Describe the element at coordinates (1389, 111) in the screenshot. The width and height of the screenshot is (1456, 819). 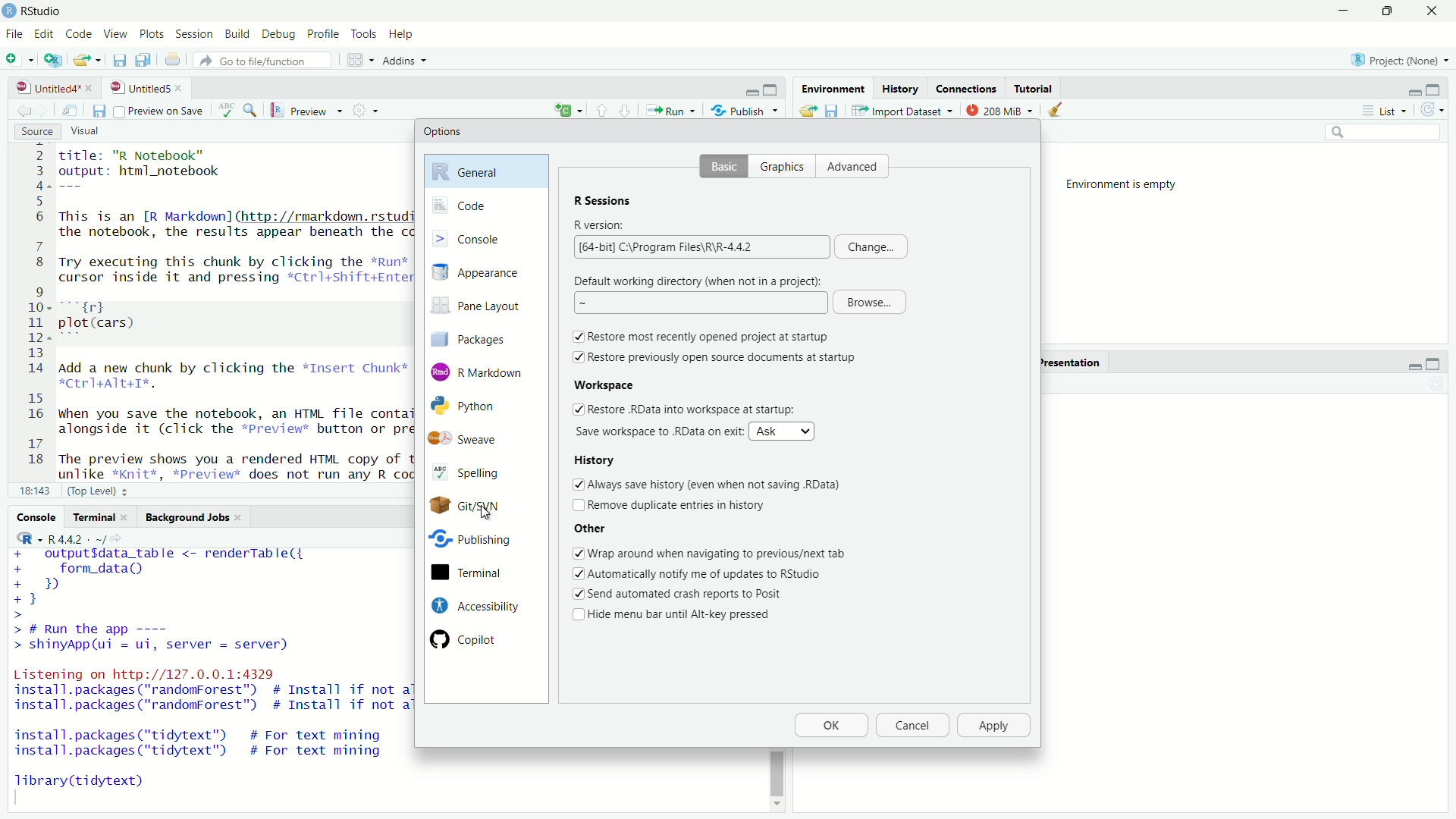
I see `List` at that location.